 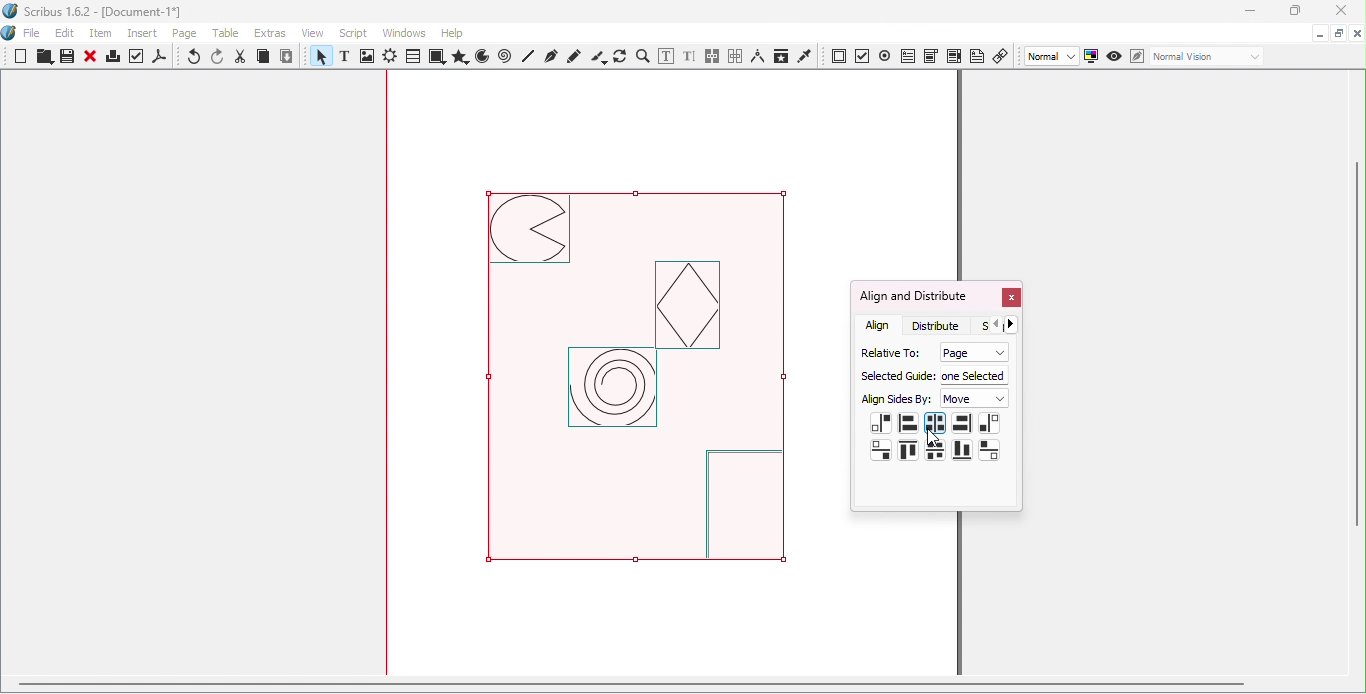 I want to click on Scribus 1.6.2 - [Document-1*], so click(x=101, y=13).